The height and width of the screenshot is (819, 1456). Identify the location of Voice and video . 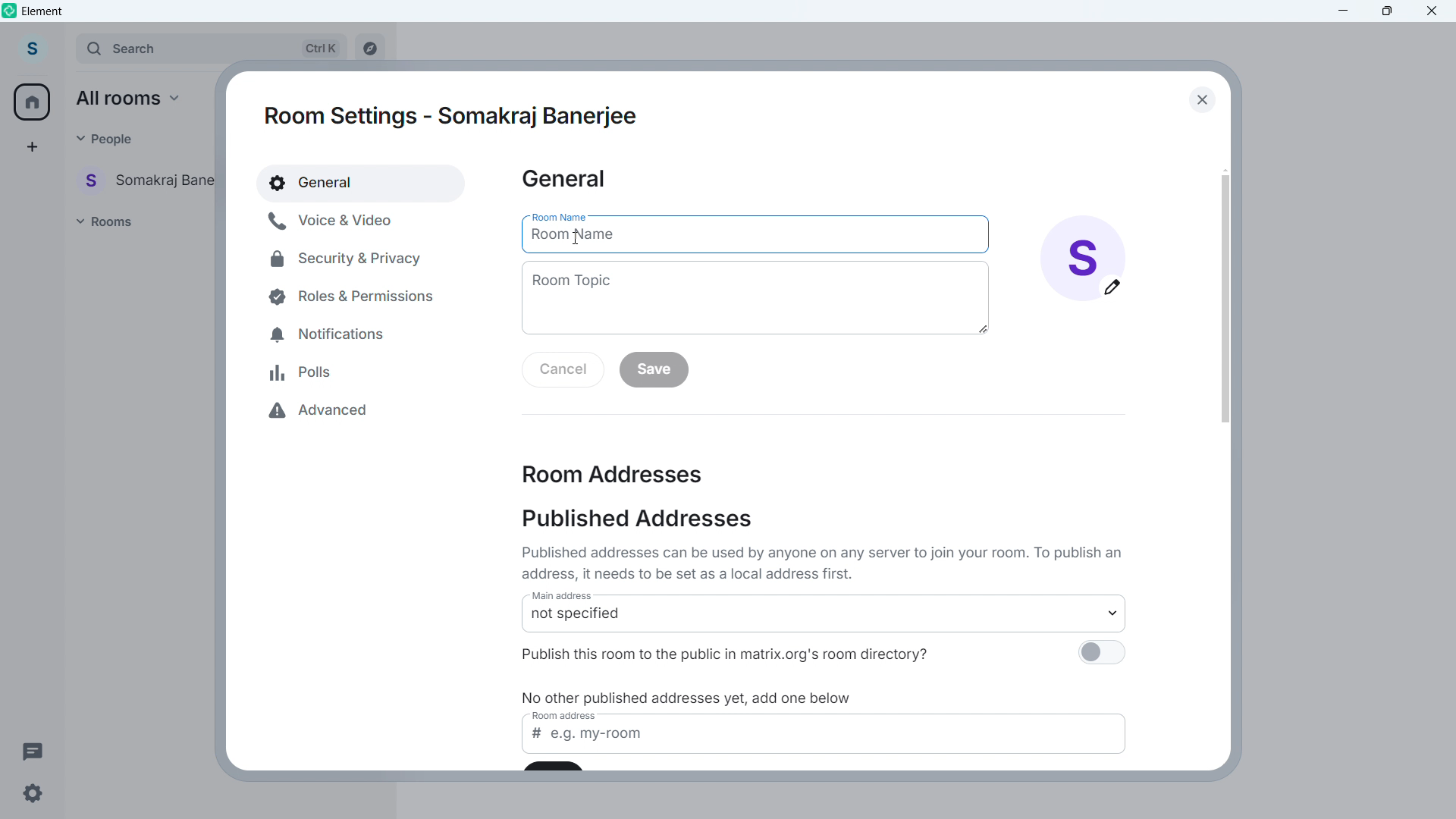
(349, 220).